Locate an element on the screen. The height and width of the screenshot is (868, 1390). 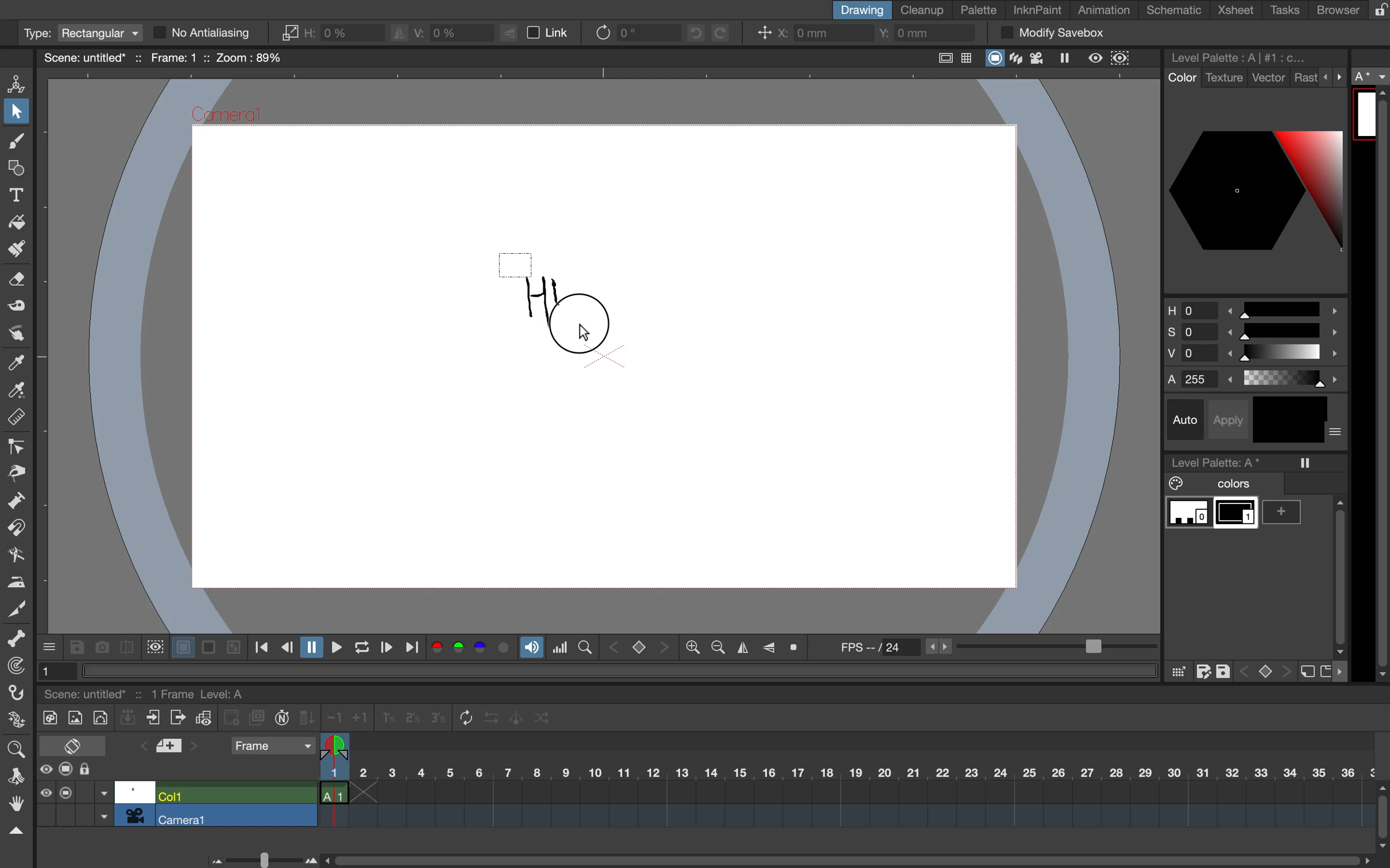
drag cursor over drawing is located at coordinates (554, 299).